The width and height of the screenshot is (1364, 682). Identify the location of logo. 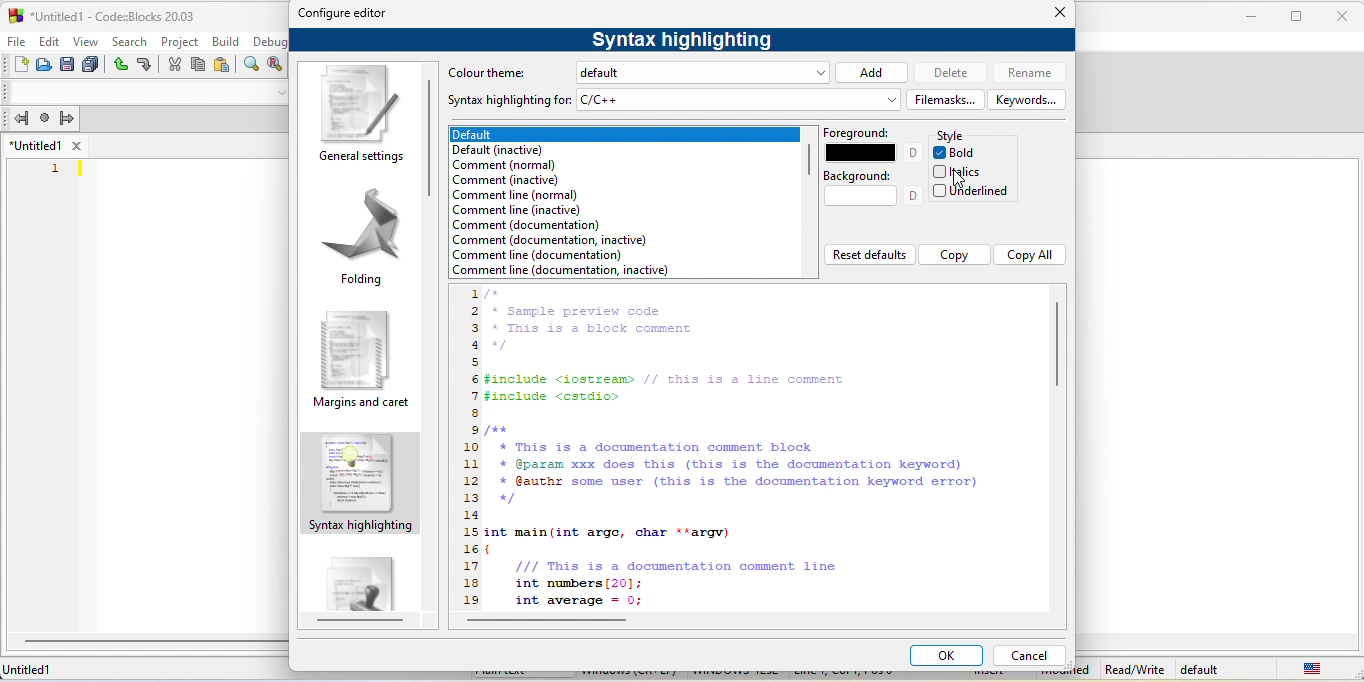
(15, 16).